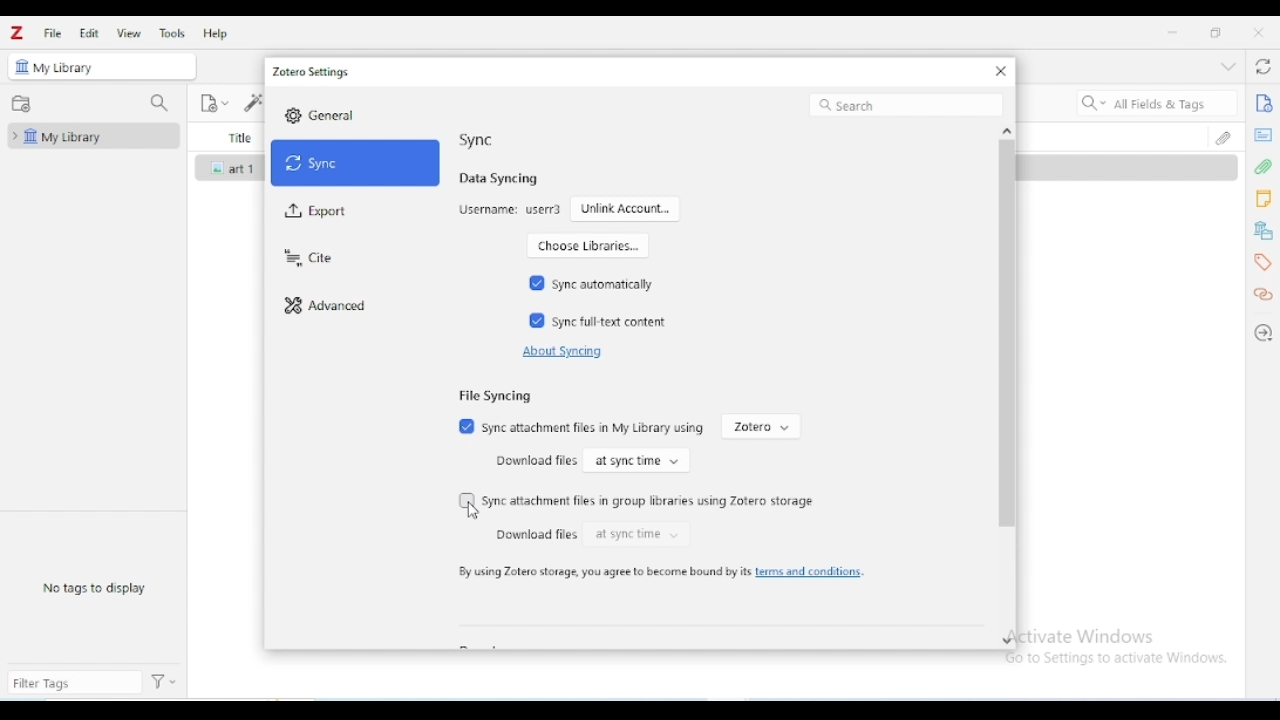 This screenshot has height=720, width=1280. I want to click on Checkbox , so click(467, 501).